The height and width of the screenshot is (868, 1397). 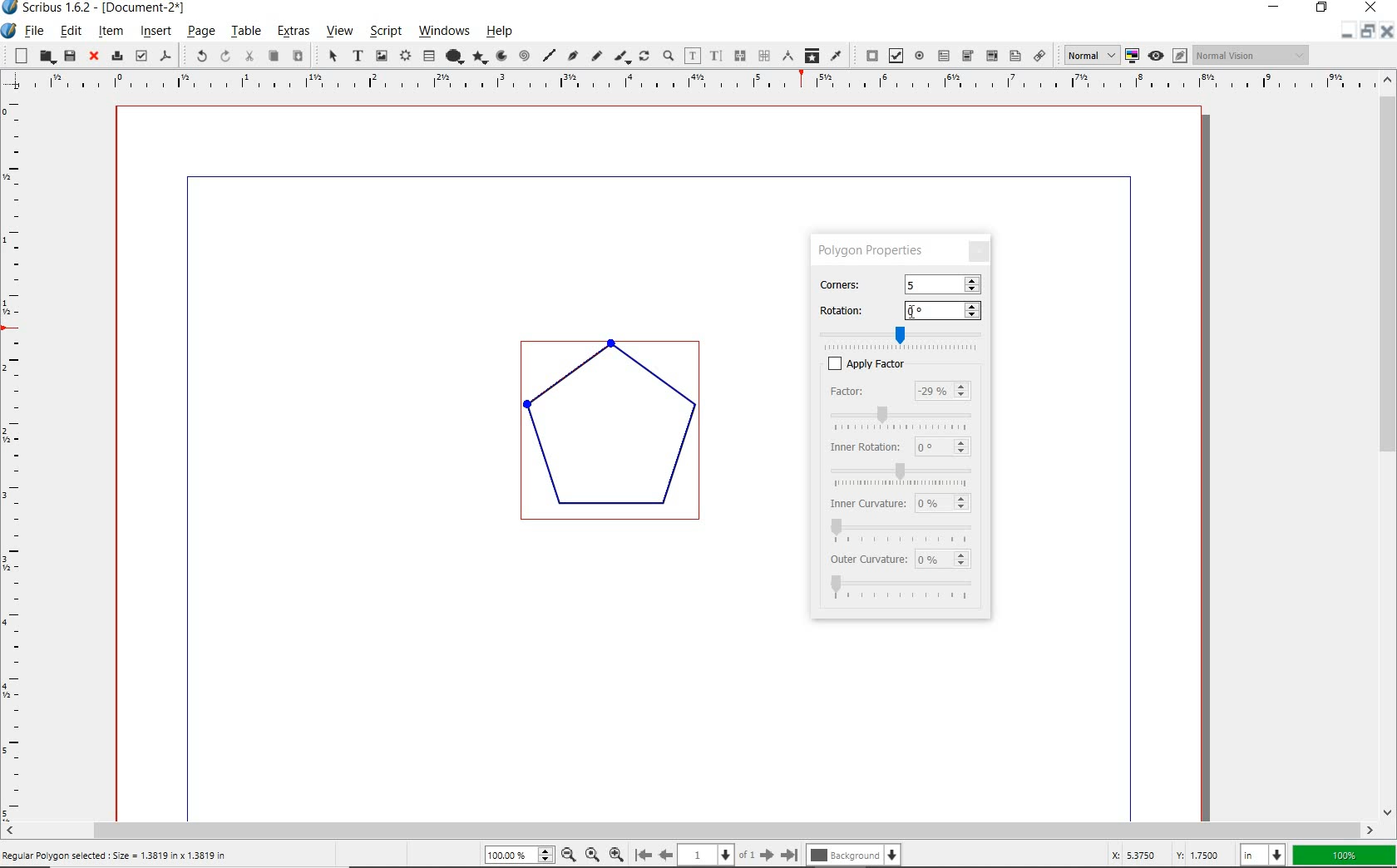 I want to click on input factor, so click(x=944, y=392).